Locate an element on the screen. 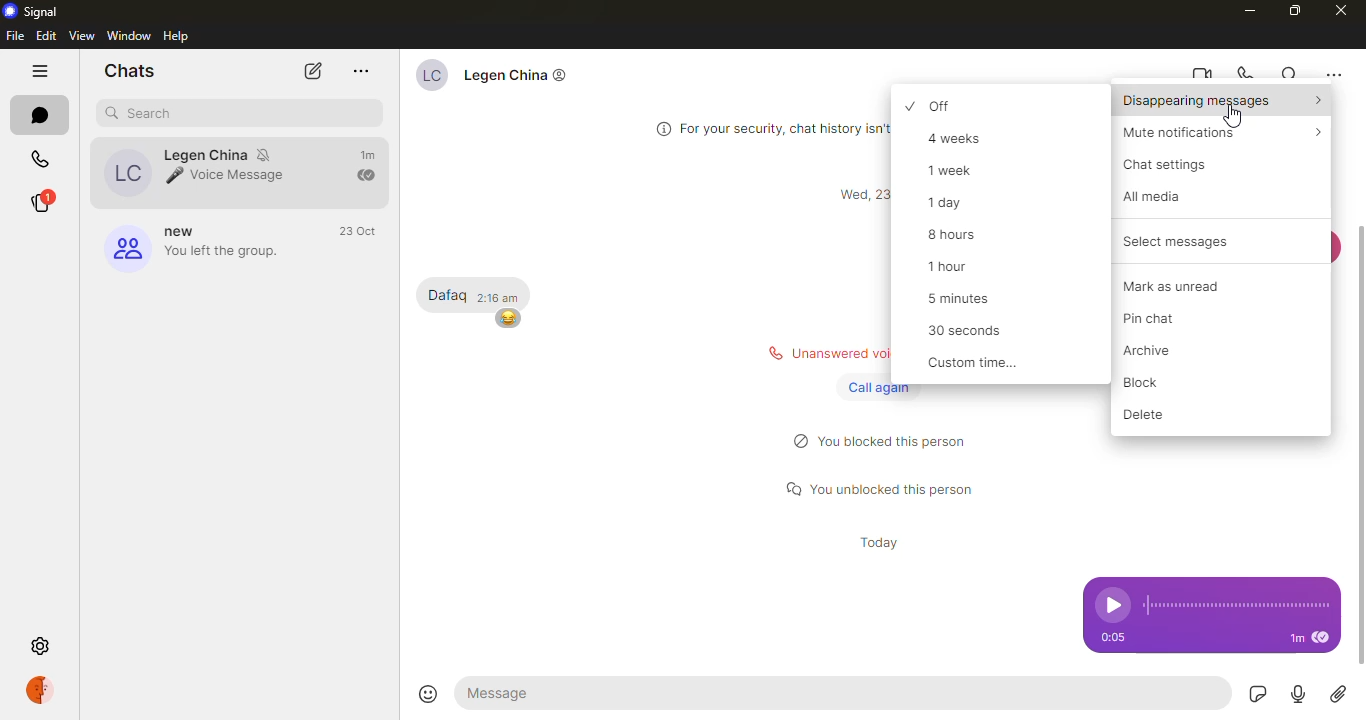 This screenshot has height=720, width=1366. select messages is located at coordinates (1166, 242).